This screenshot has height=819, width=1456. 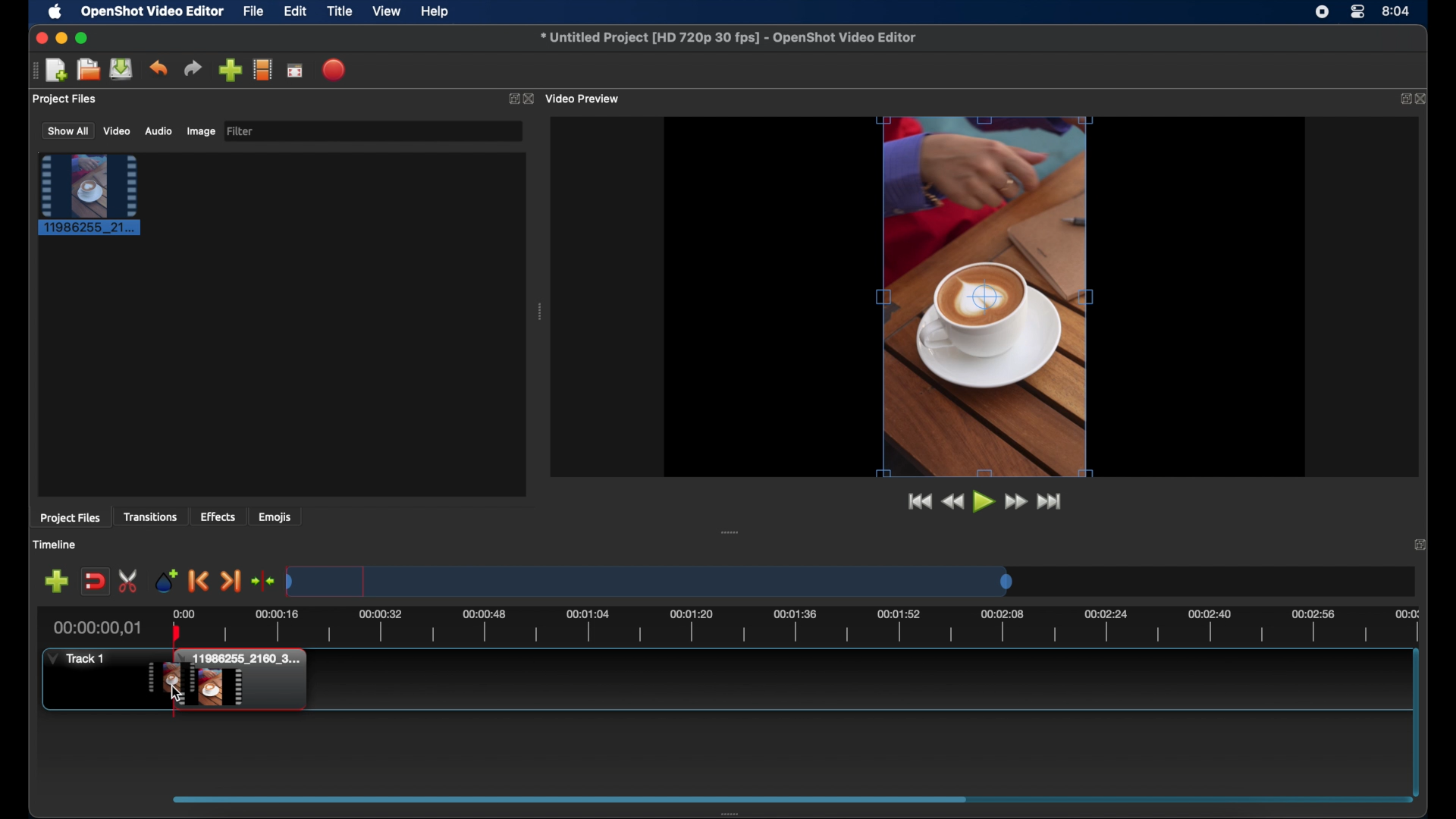 I want to click on transitions, so click(x=150, y=518).